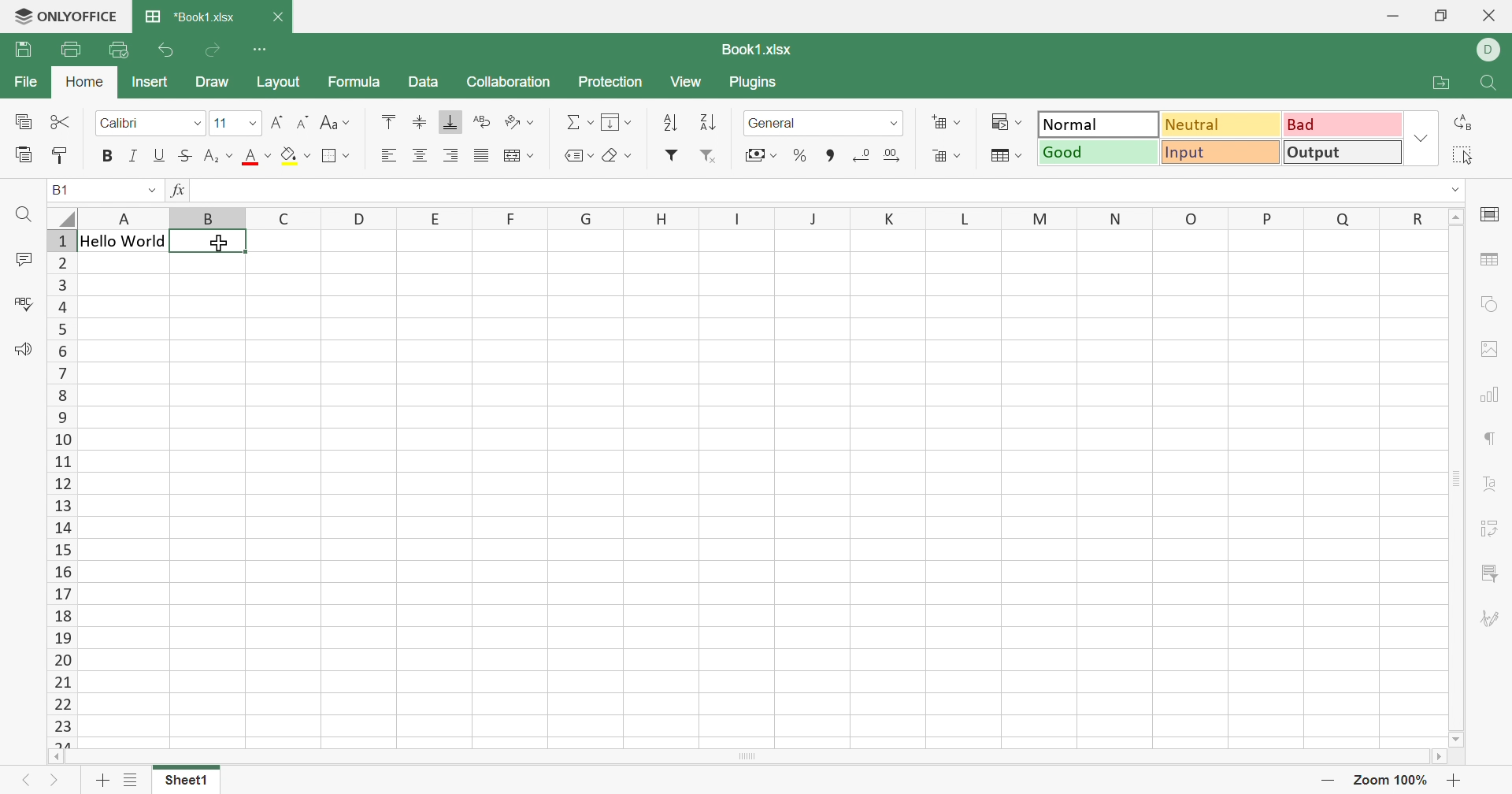 This screenshot has width=1512, height=794. Describe the element at coordinates (1437, 755) in the screenshot. I see `Scroll right` at that location.